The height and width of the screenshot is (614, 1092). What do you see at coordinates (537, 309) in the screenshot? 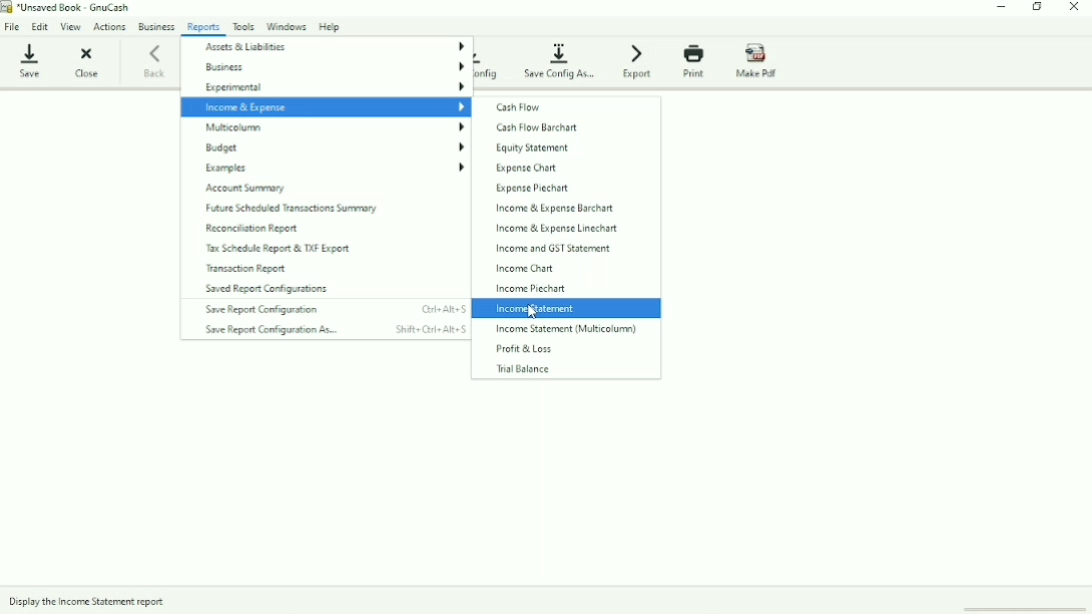
I see `Income Statement` at bounding box center [537, 309].